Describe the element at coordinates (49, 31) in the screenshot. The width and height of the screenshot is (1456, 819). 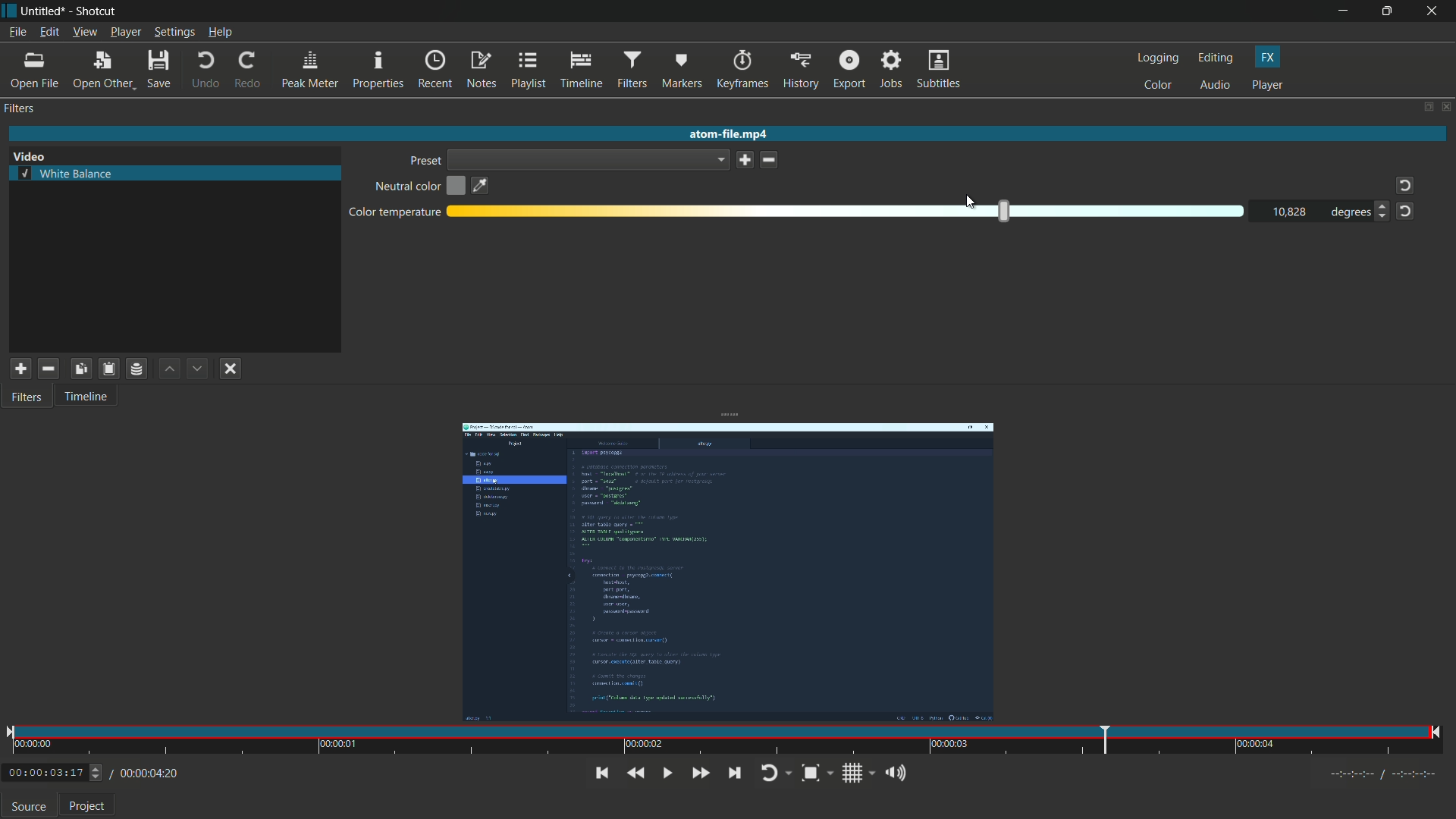
I see `edit menu` at that location.